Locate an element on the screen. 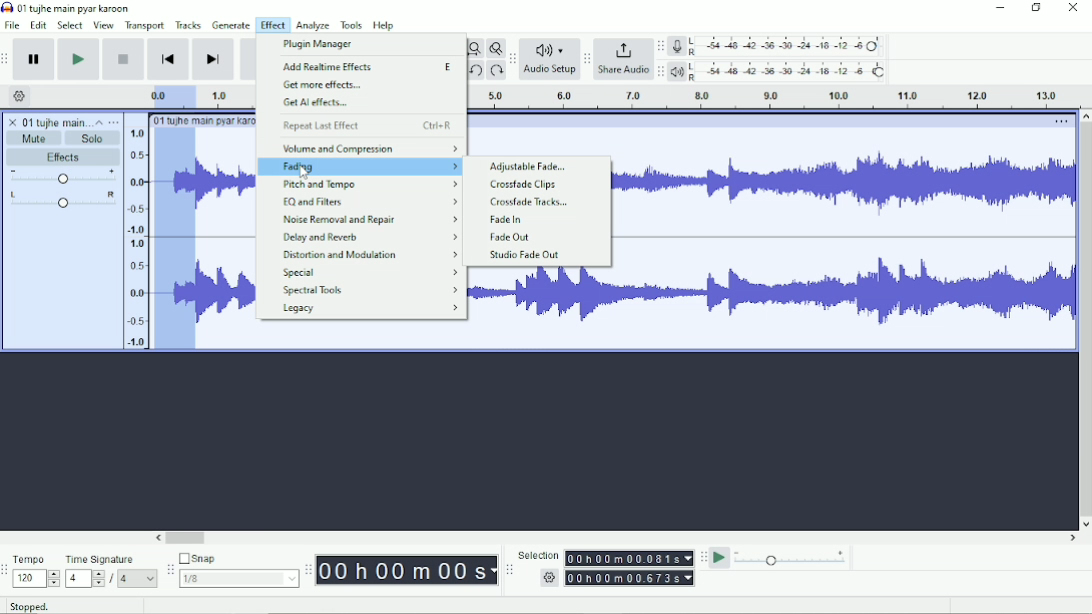  Setting Logo is located at coordinates (548, 580).